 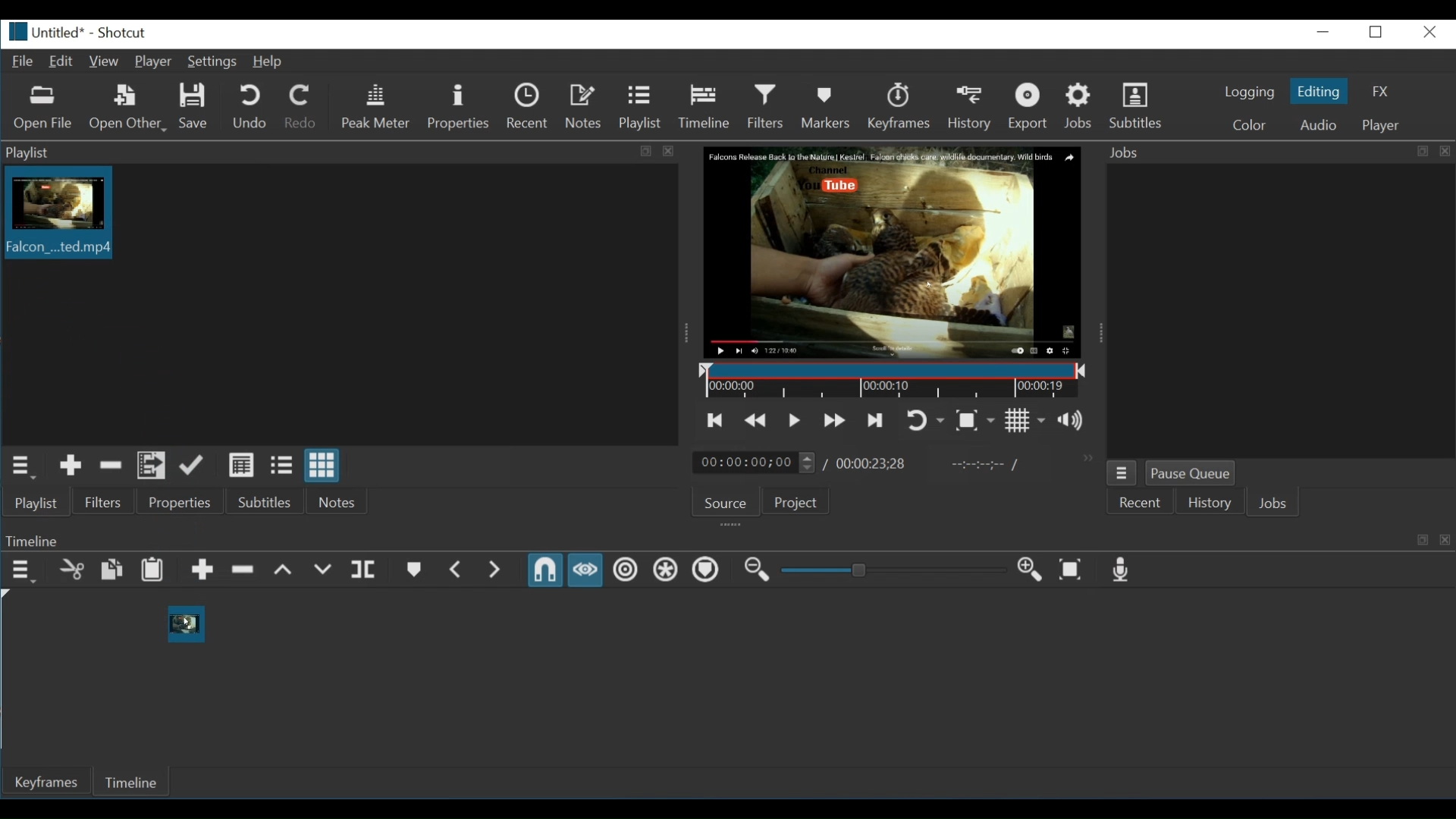 I want to click on Add files to the playlist, so click(x=149, y=466).